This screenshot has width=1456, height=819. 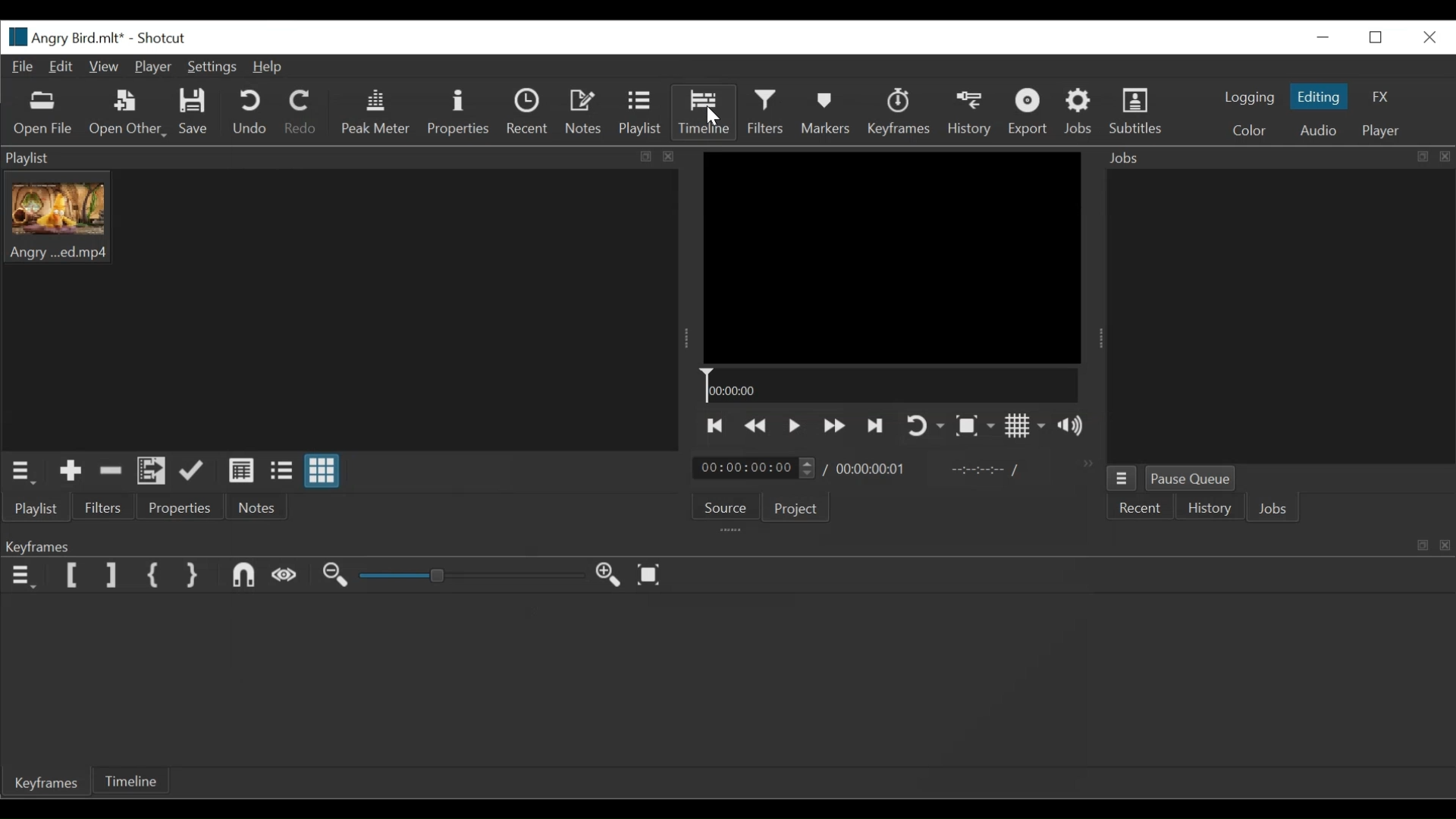 I want to click on Filter, so click(x=765, y=111).